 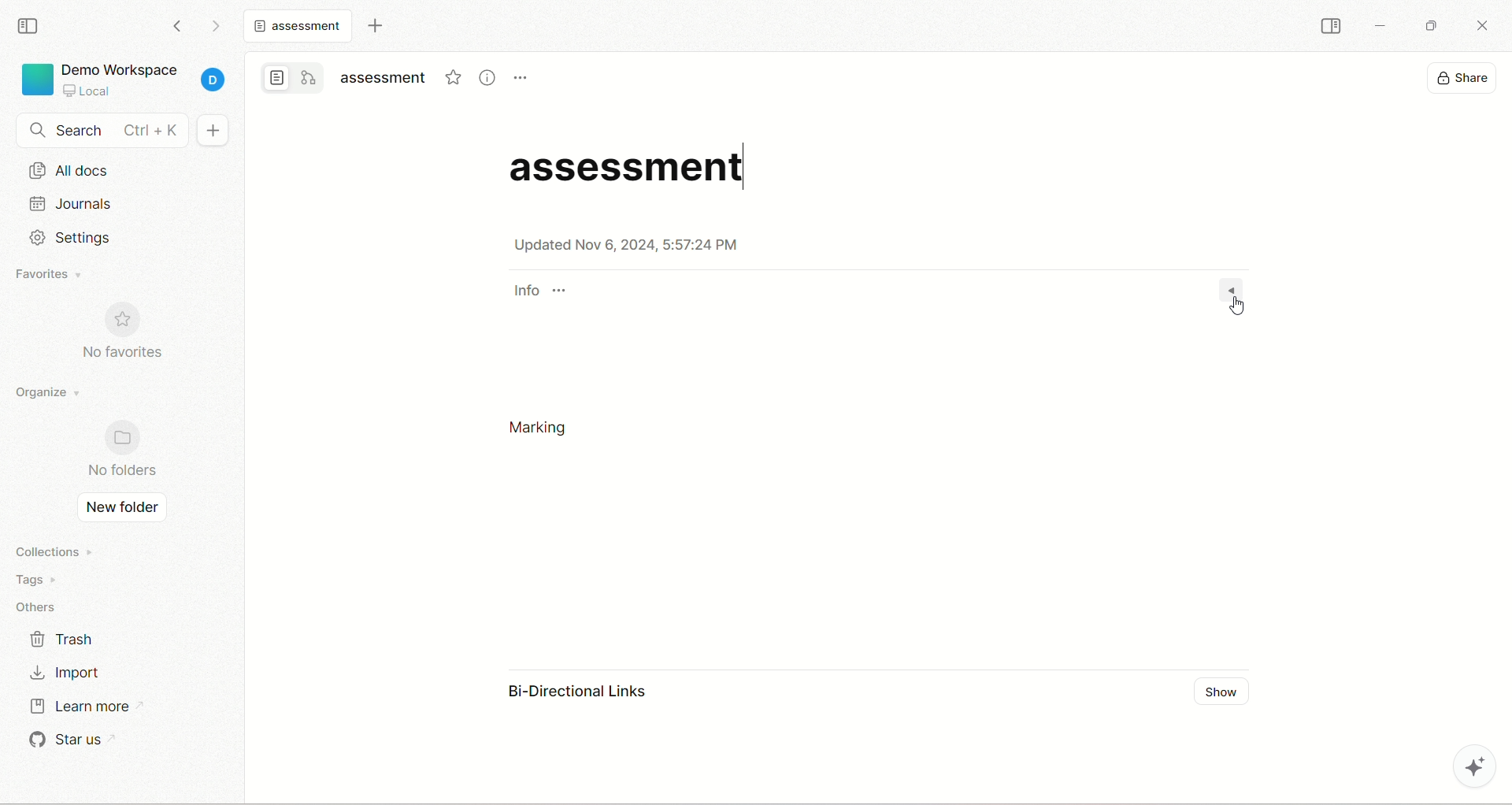 What do you see at coordinates (309, 77) in the screenshot?
I see `edgeless mode` at bounding box center [309, 77].